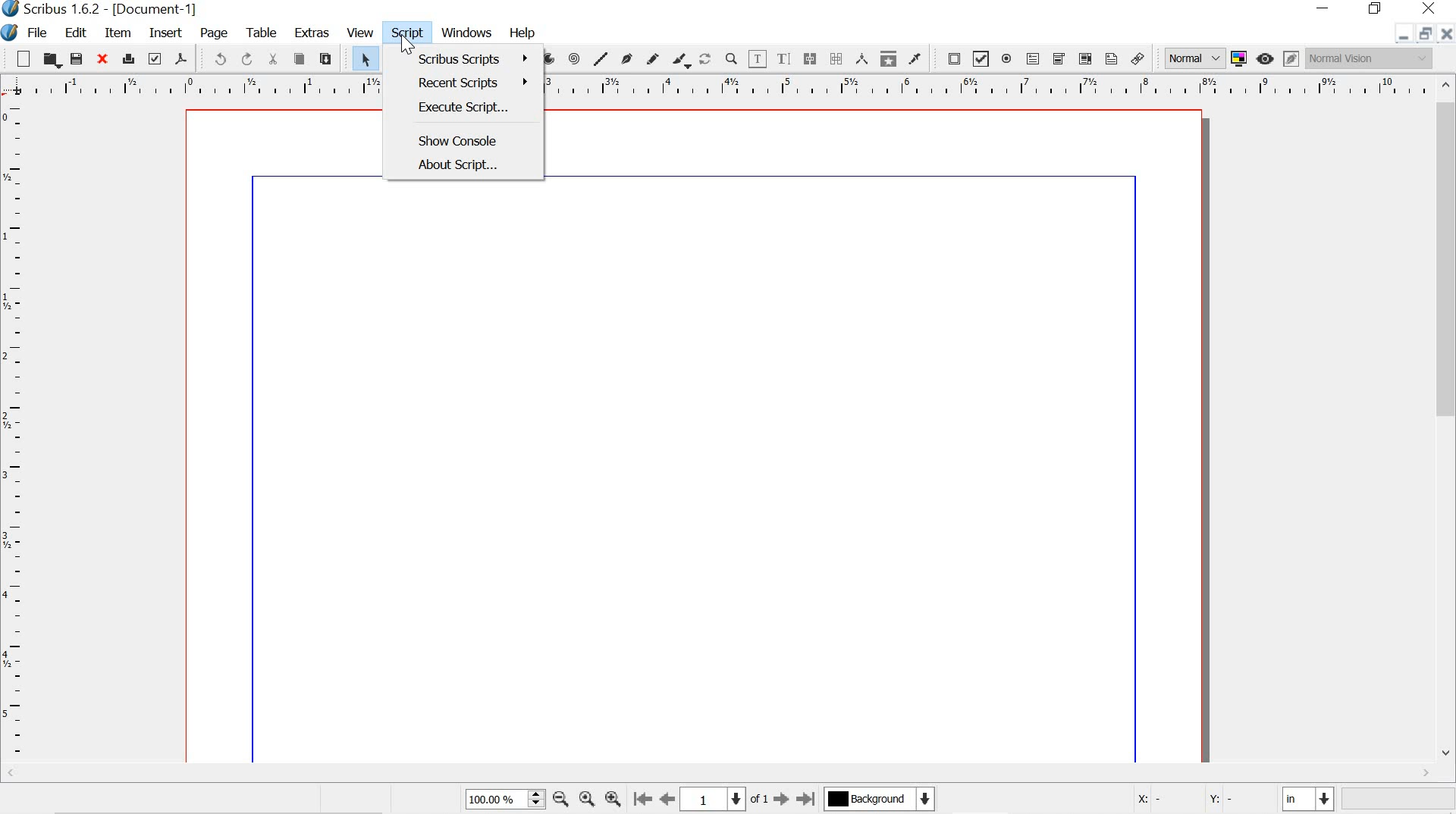 This screenshot has width=1456, height=814. Describe the element at coordinates (714, 774) in the screenshot. I see `scrollbar` at that location.